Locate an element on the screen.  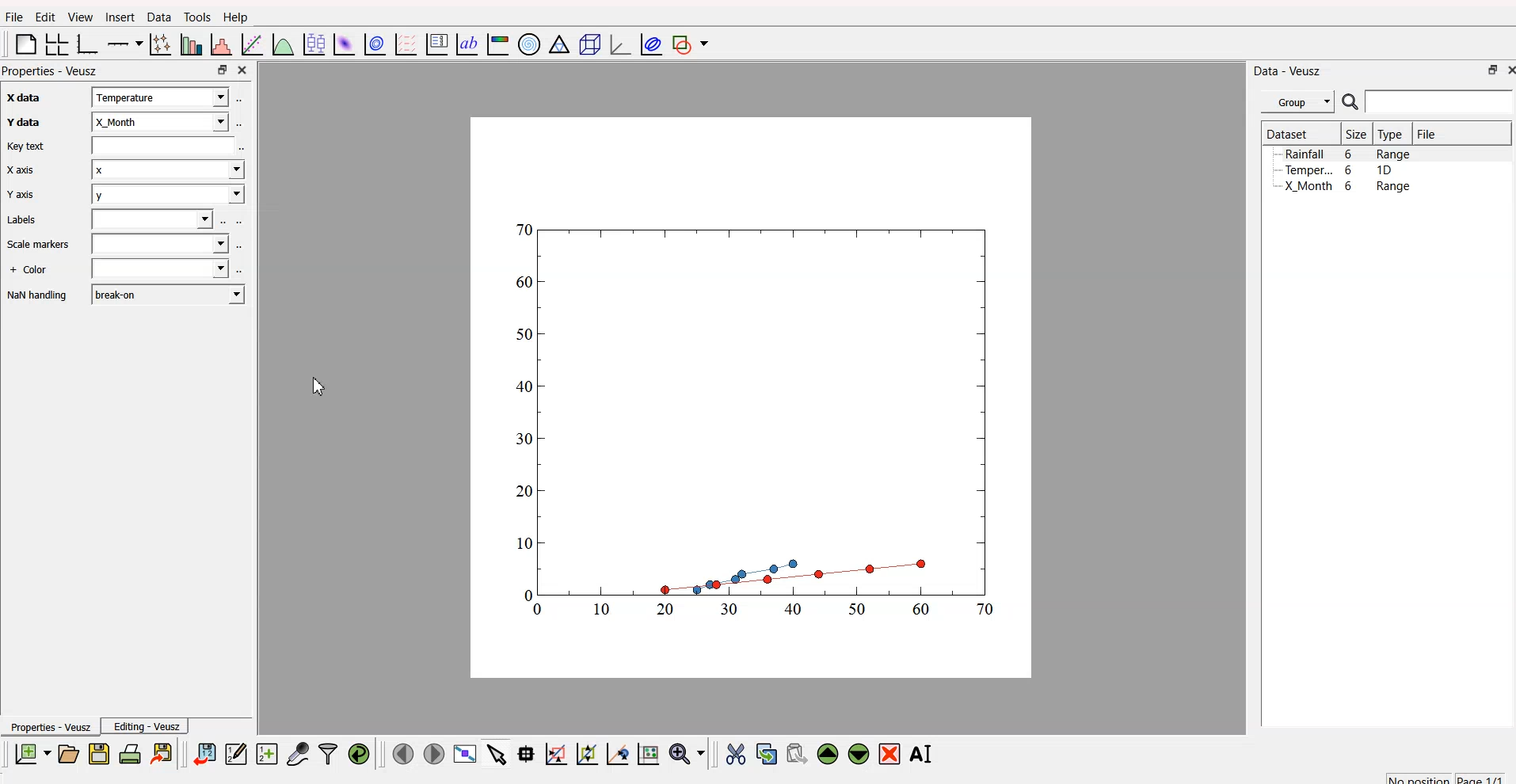
remove the selected widget is located at coordinates (890, 754).